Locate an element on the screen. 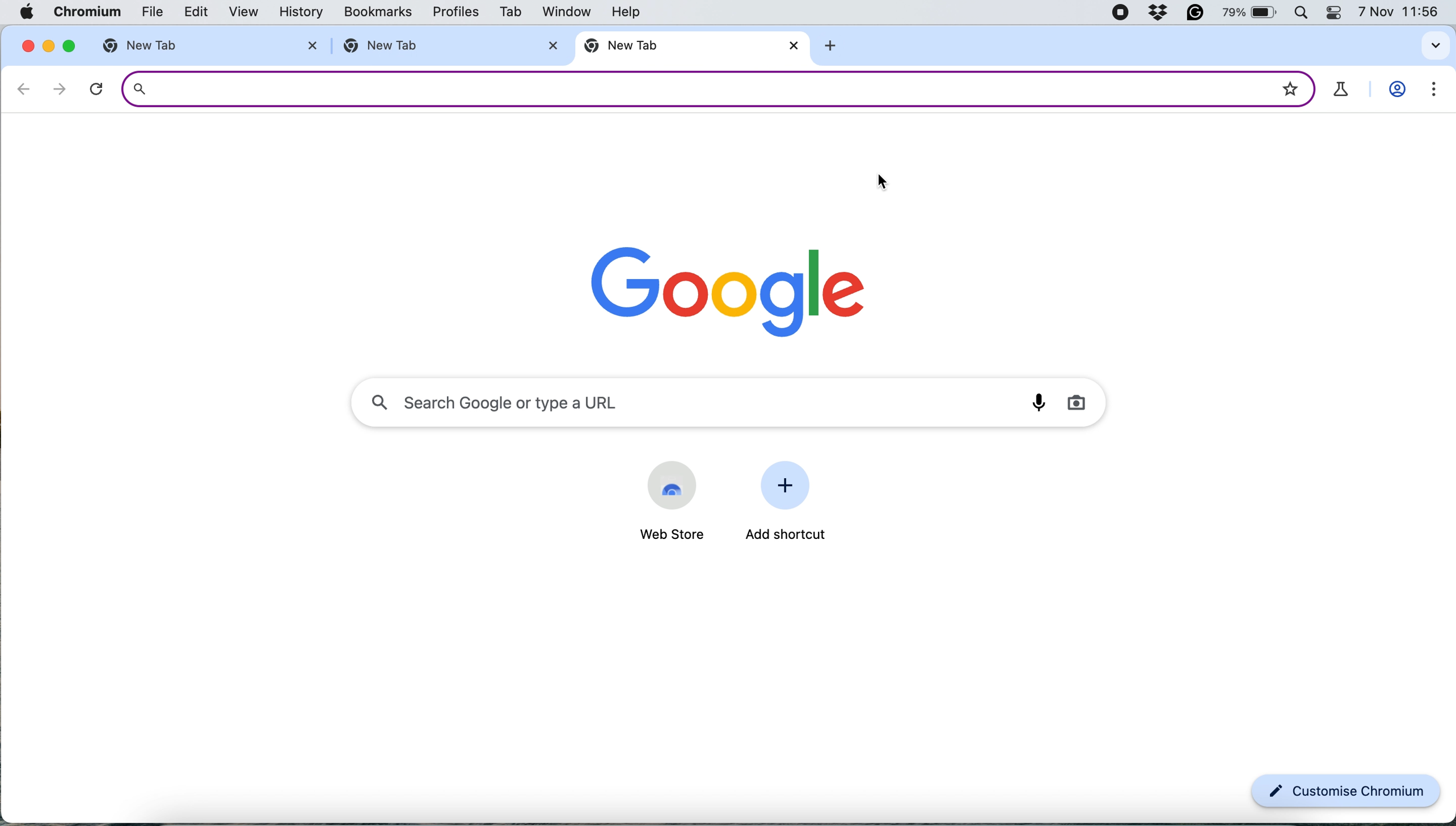 Image resolution: width=1456 pixels, height=826 pixels. tab is located at coordinates (508, 14).